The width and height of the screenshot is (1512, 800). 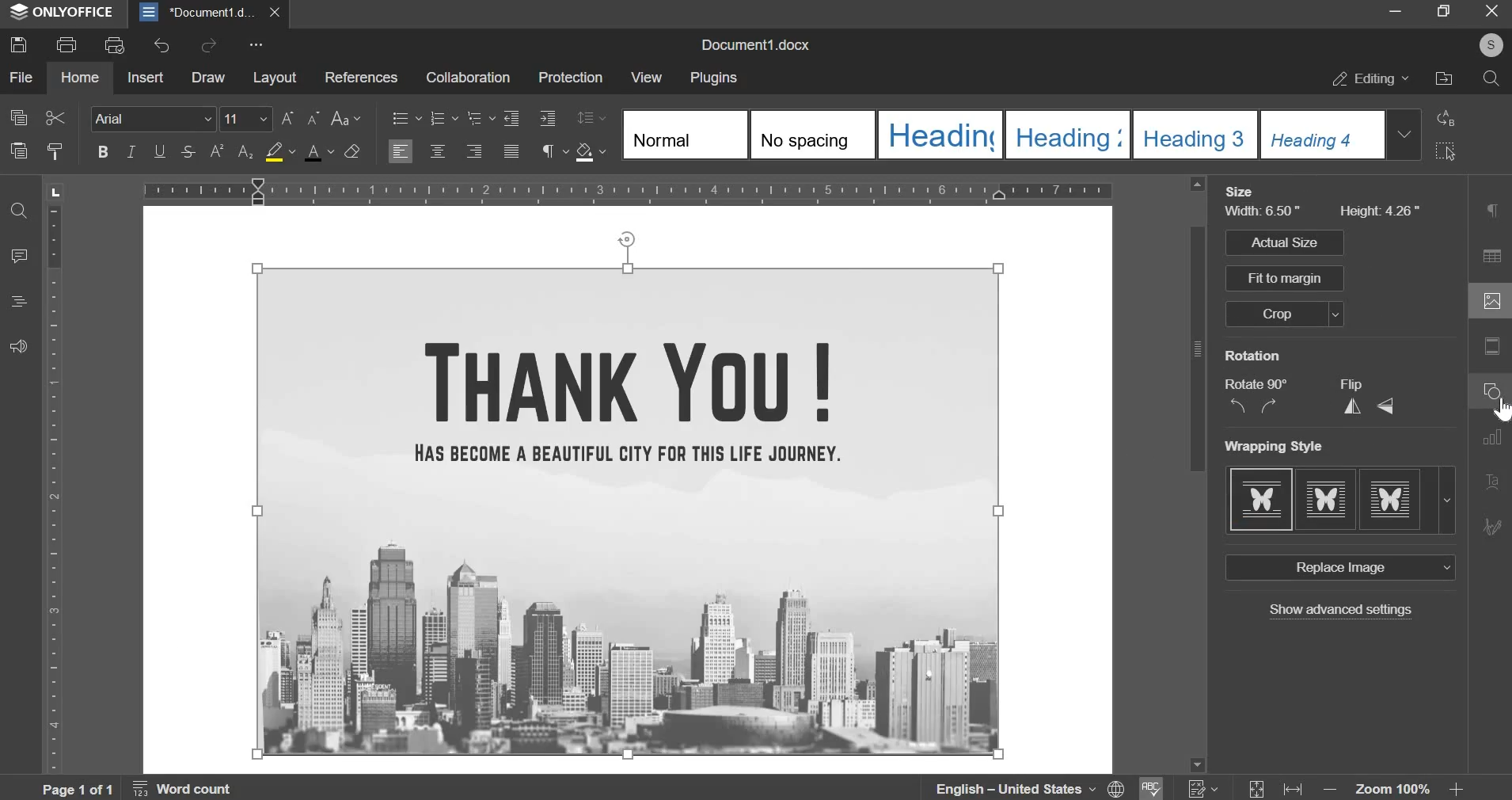 What do you see at coordinates (207, 44) in the screenshot?
I see `redo` at bounding box center [207, 44].